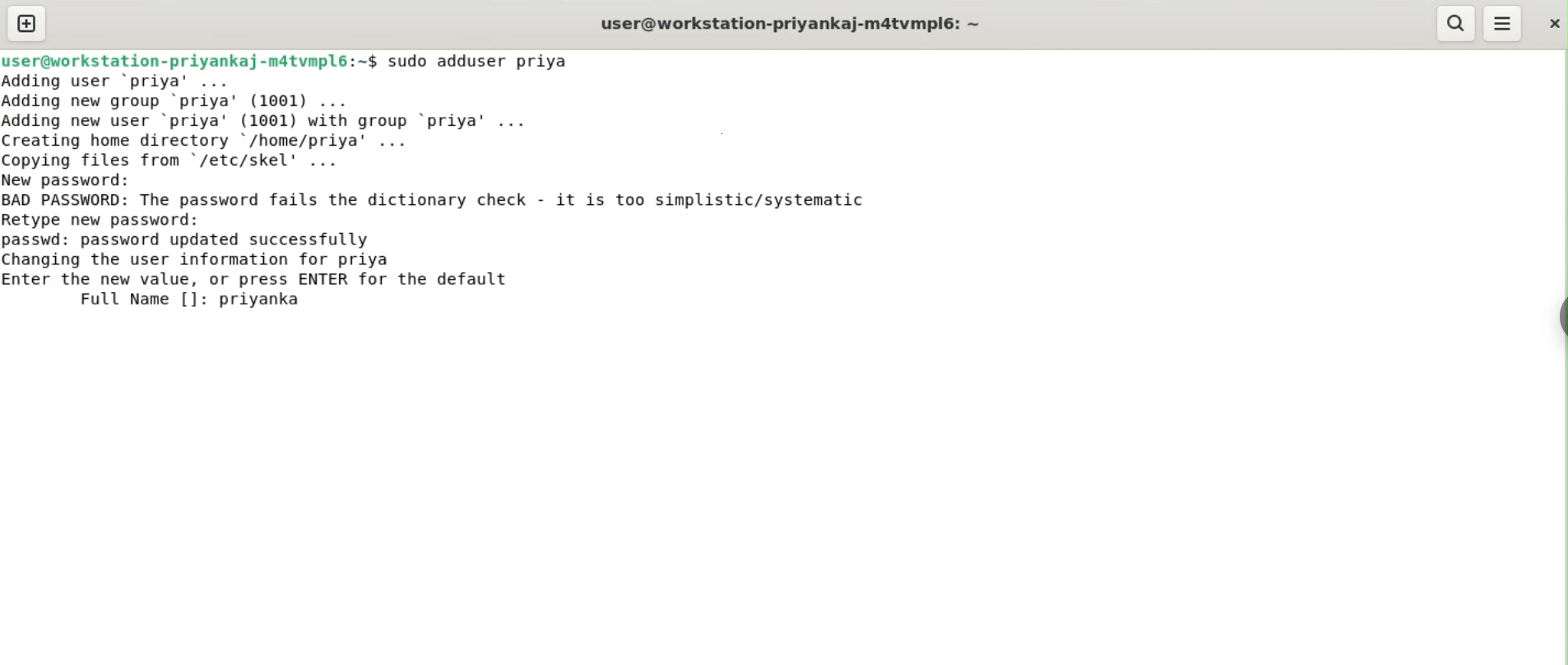 The height and width of the screenshot is (665, 1568). What do you see at coordinates (79, 179) in the screenshot?
I see `new password` at bounding box center [79, 179].